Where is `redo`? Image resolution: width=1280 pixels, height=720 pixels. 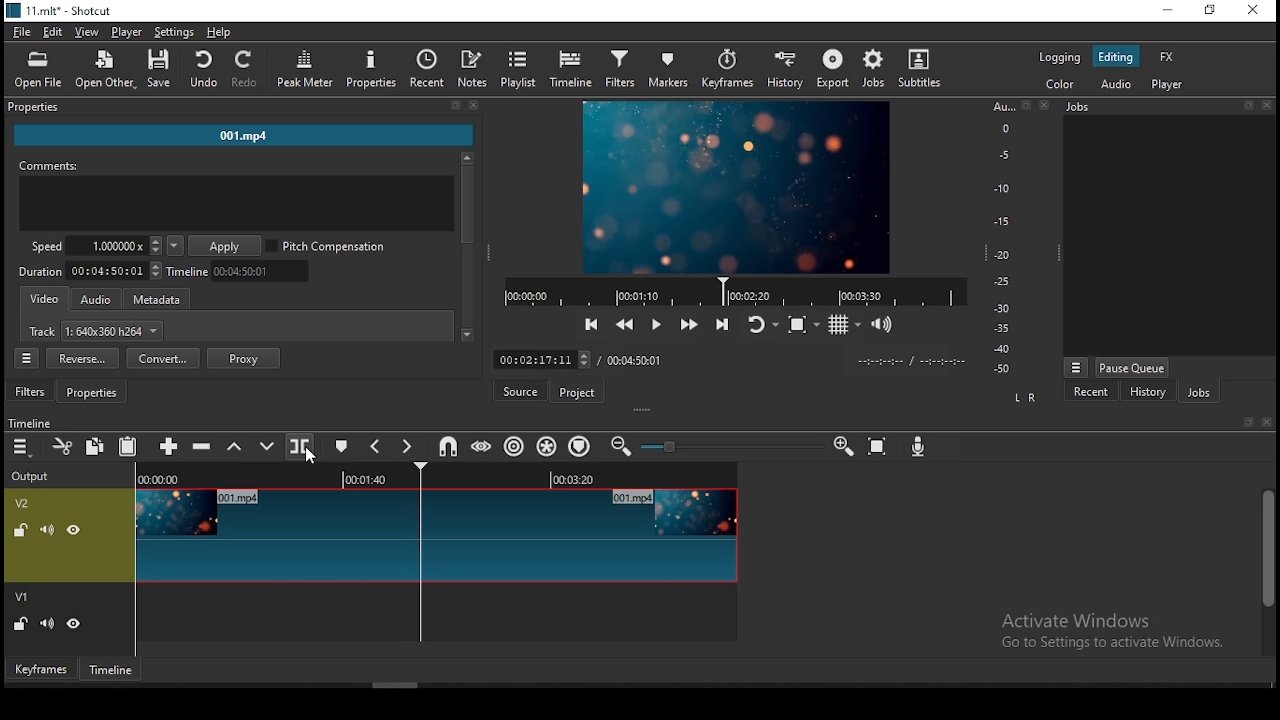 redo is located at coordinates (247, 70).